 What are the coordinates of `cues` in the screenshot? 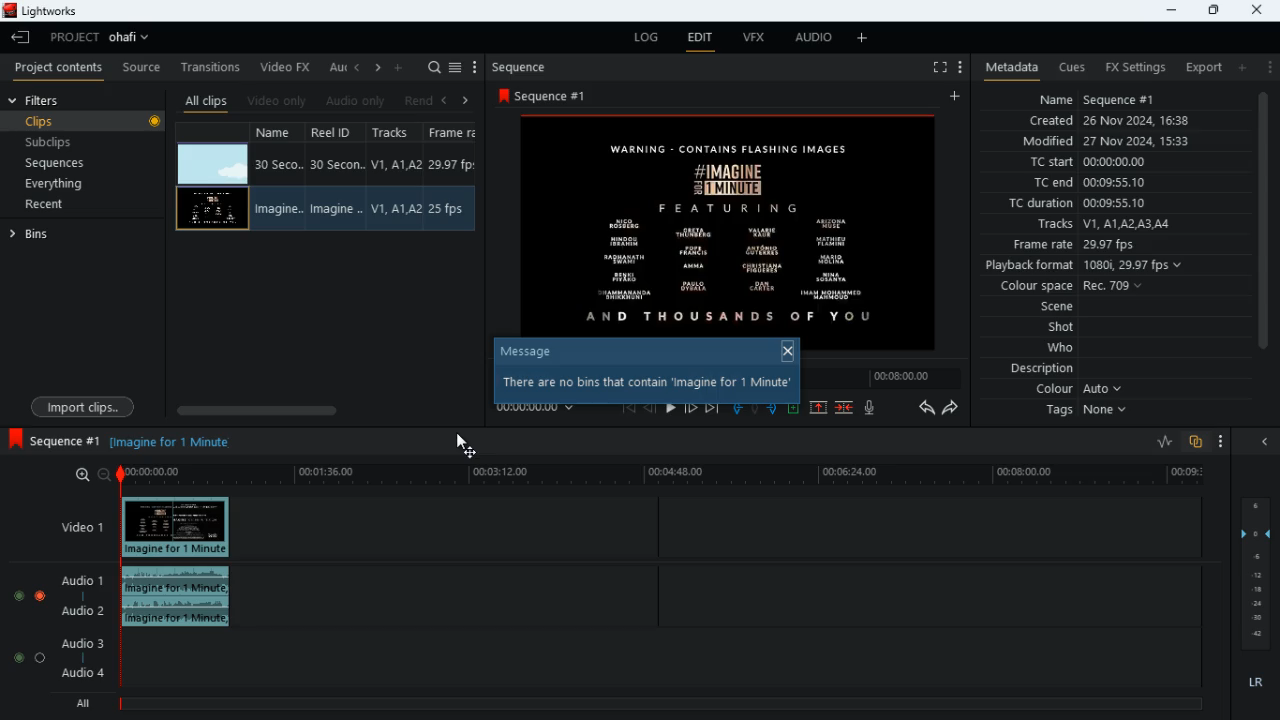 It's located at (1073, 68).